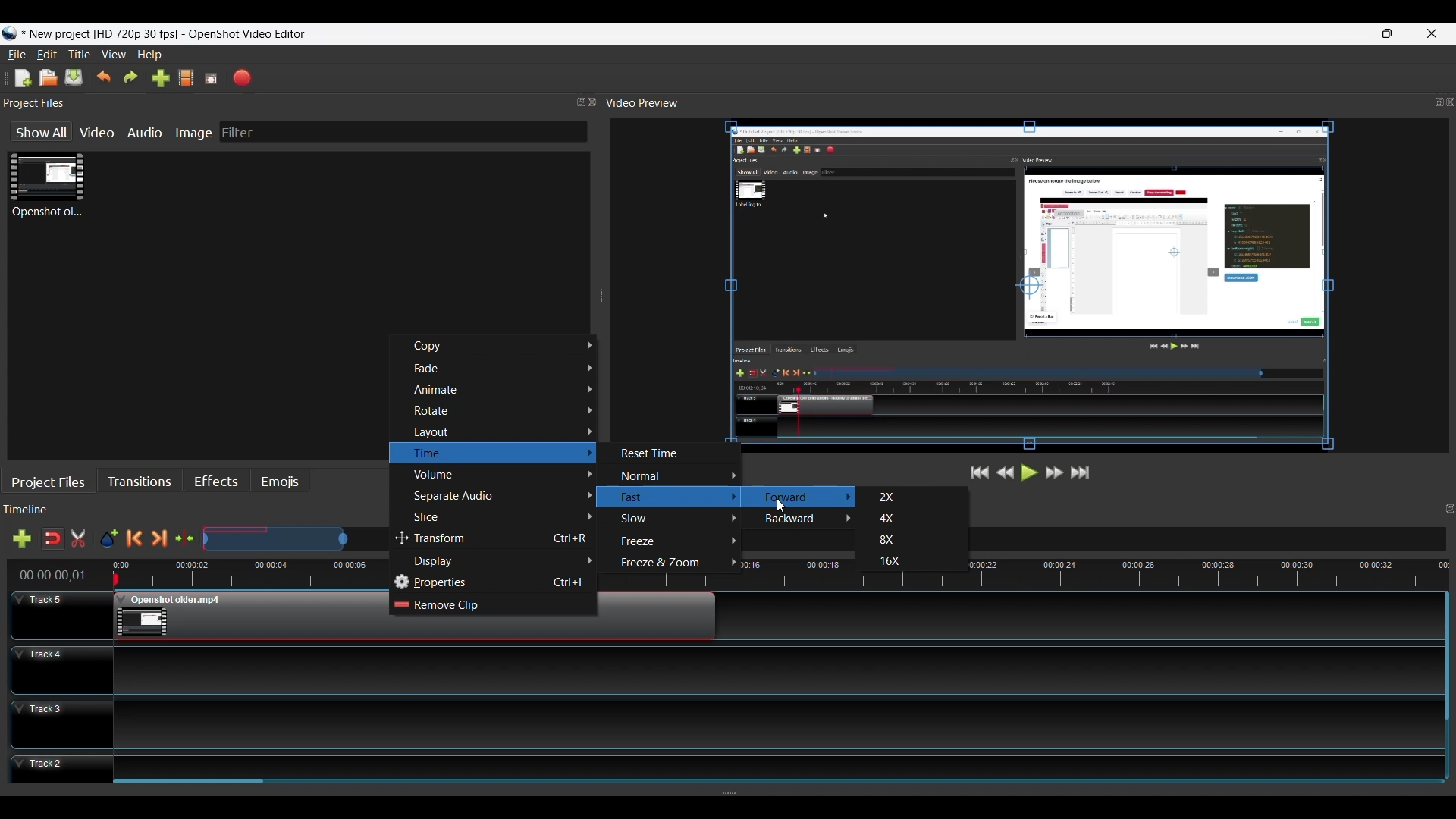  Describe the element at coordinates (212, 78) in the screenshot. I see `Fullscreen` at that location.